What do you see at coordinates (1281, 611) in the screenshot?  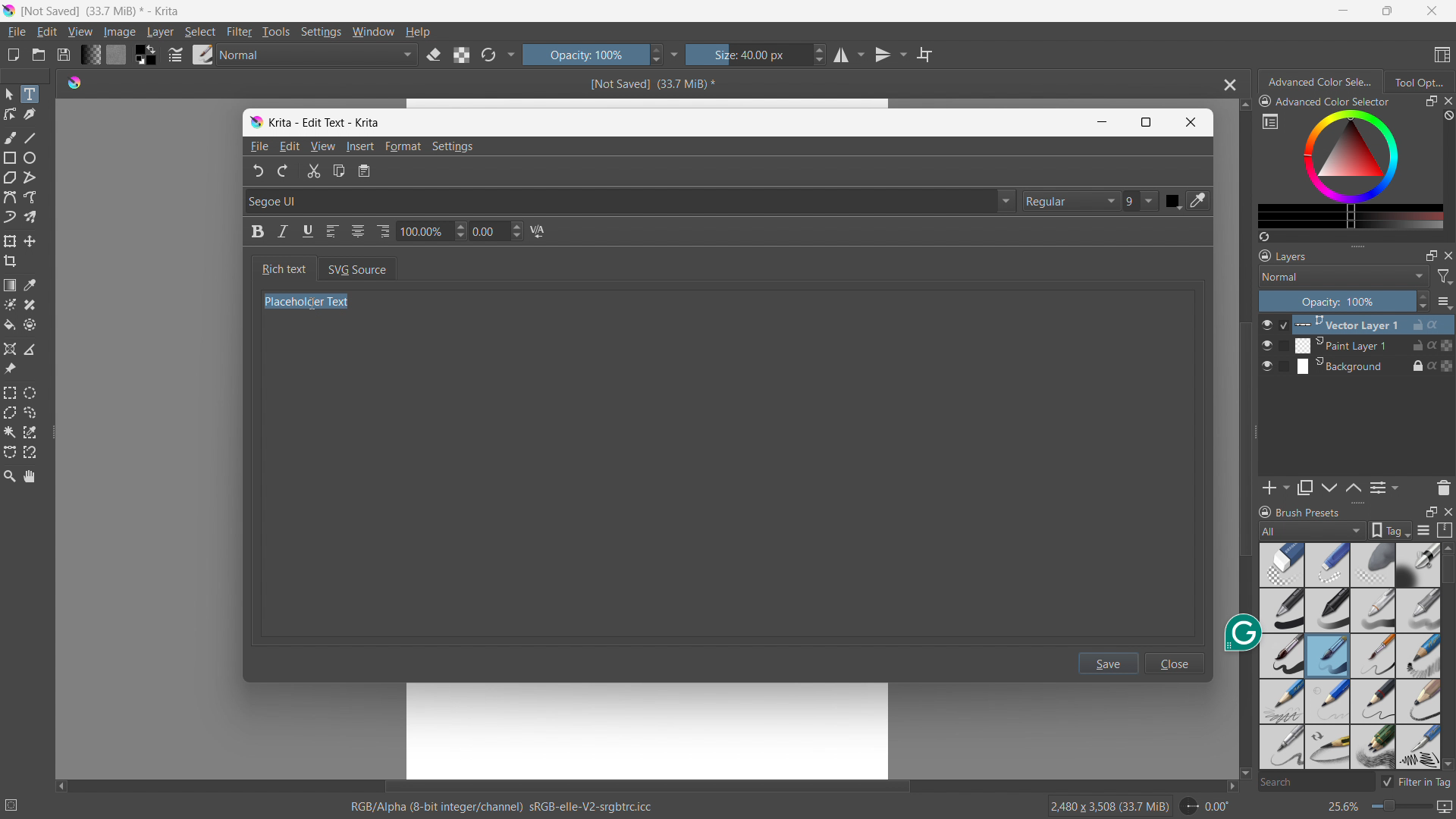 I see `bold pen` at bounding box center [1281, 611].